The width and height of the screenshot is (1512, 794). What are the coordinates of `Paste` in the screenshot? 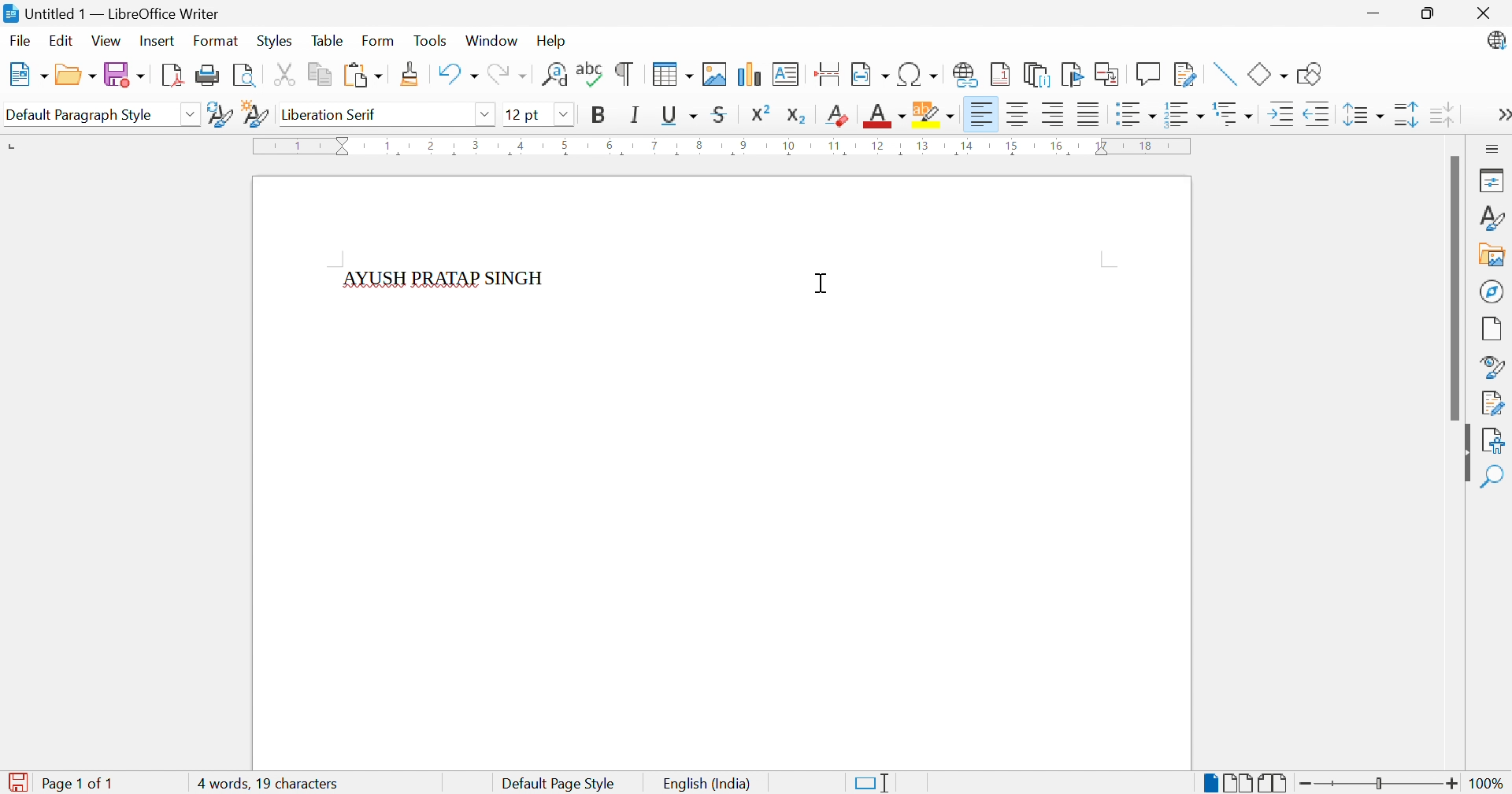 It's located at (362, 74).